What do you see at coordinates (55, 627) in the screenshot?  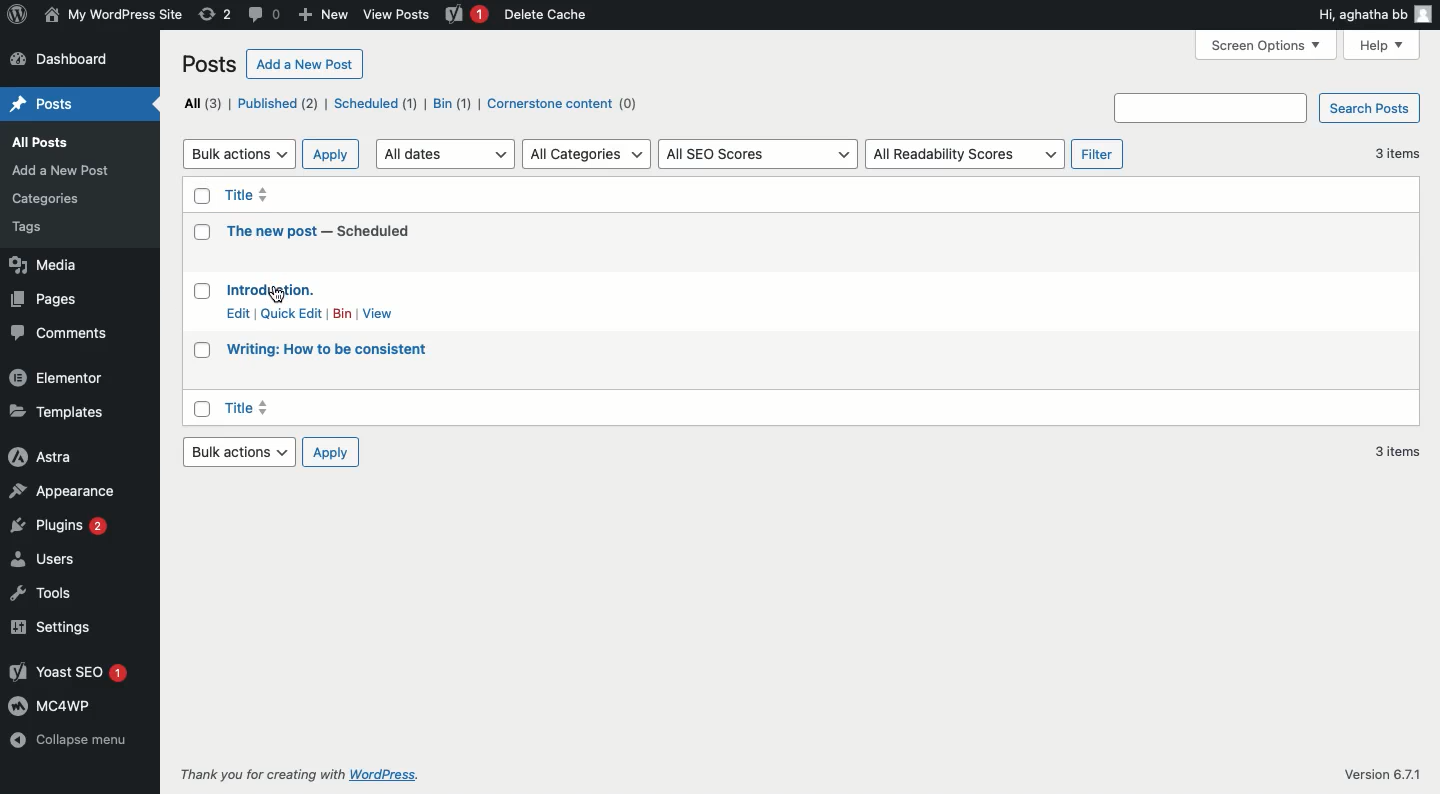 I see `Settings` at bounding box center [55, 627].